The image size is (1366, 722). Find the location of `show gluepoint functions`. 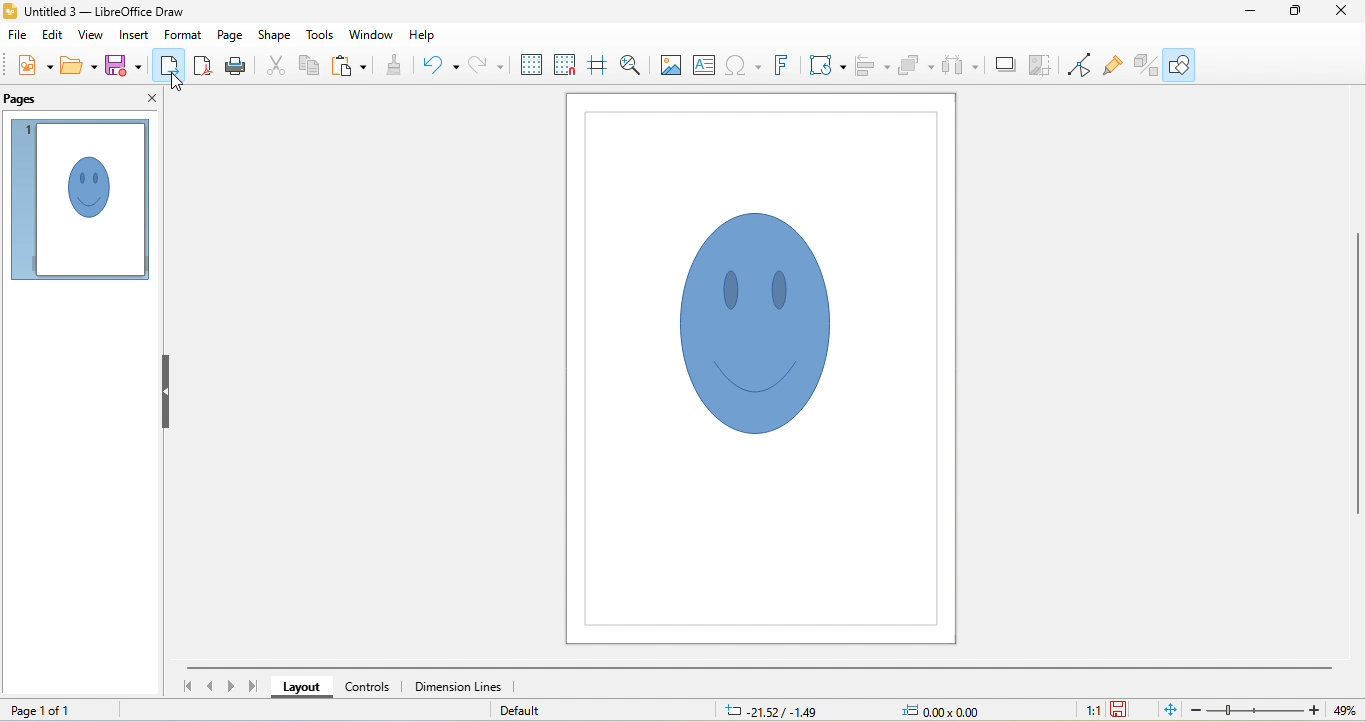

show gluepoint functions is located at coordinates (1112, 69).